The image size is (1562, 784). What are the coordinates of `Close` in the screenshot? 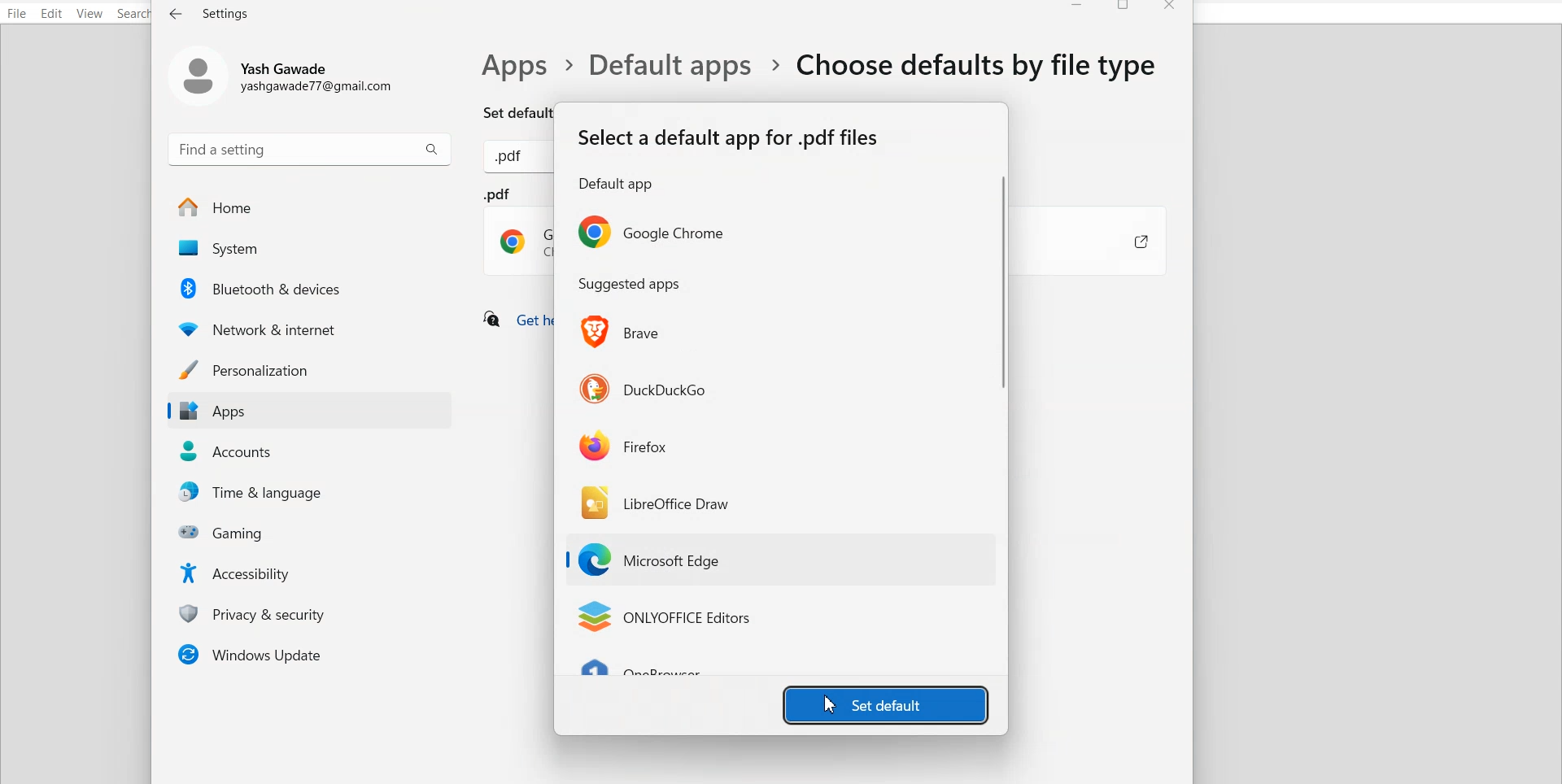 It's located at (1169, 8).